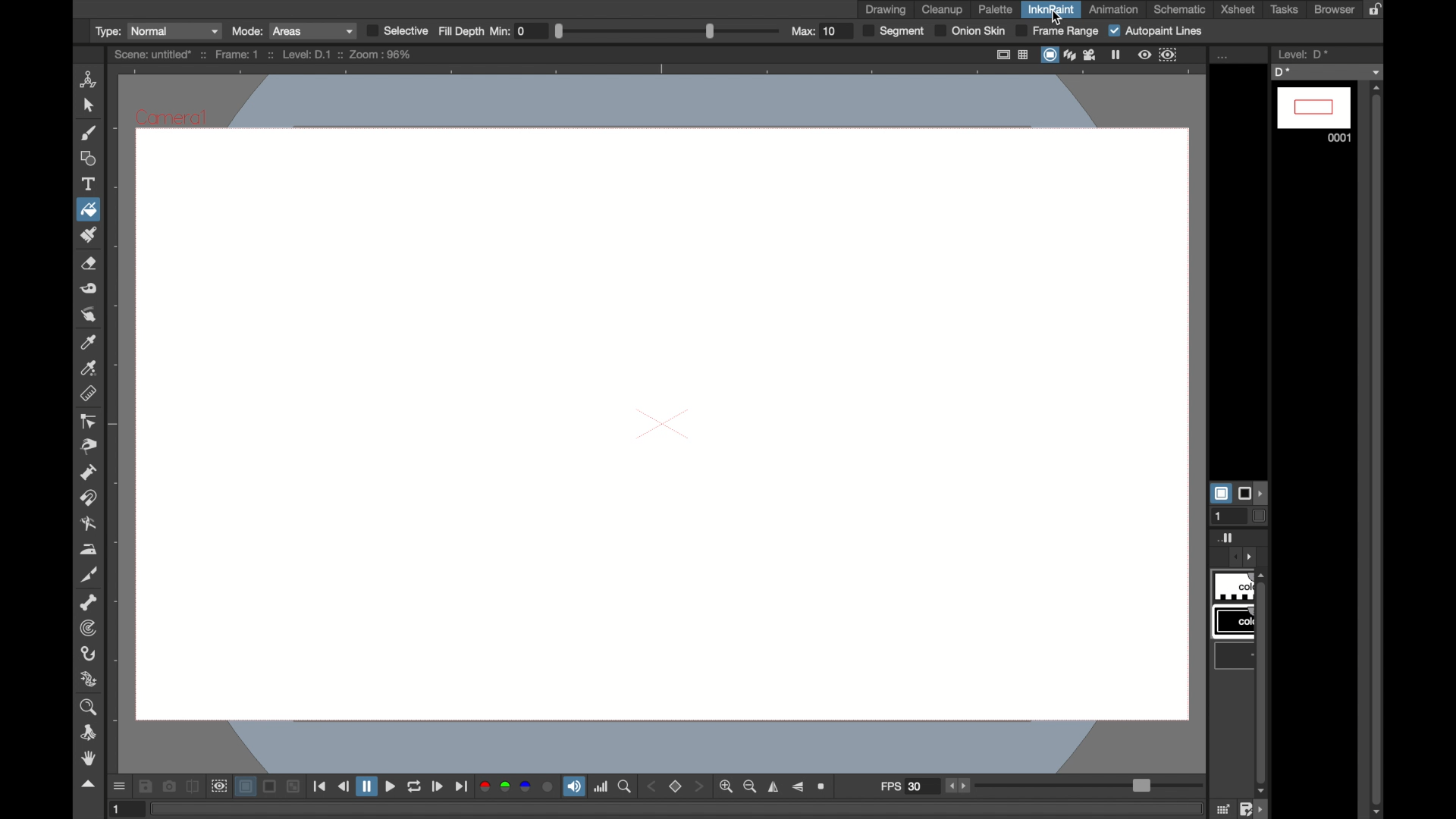 Image resolution: width=1456 pixels, height=819 pixels. What do you see at coordinates (1156, 31) in the screenshot?
I see `auto paint lines` at bounding box center [1156, 31].